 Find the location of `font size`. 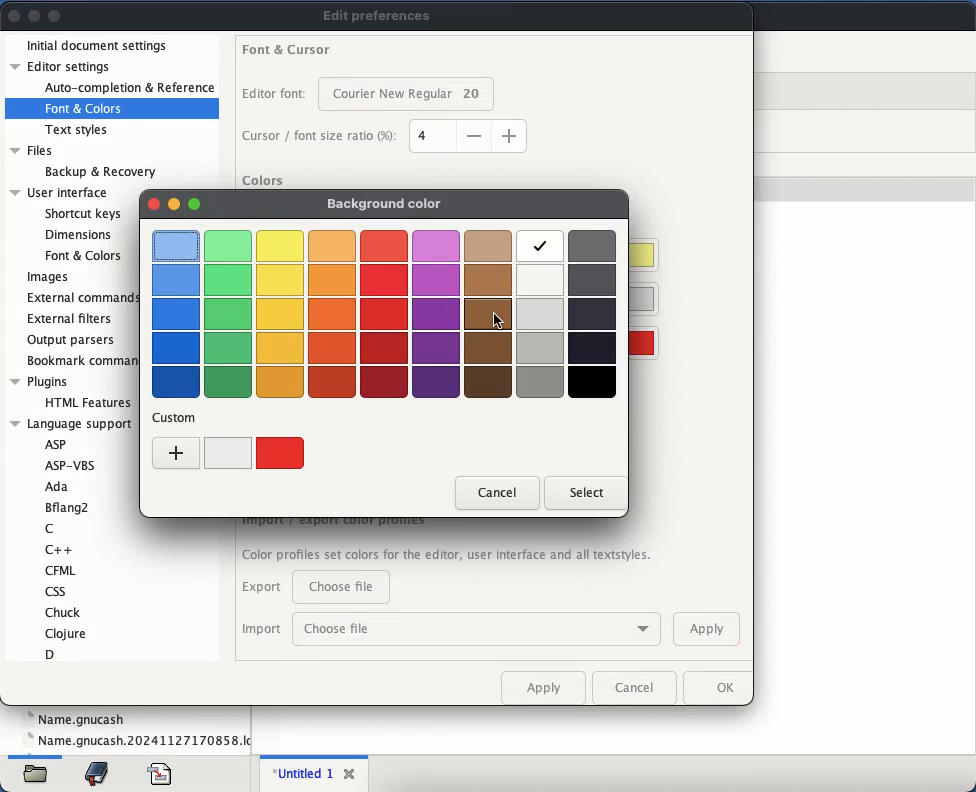

font size is located at coordinates (410, 96).